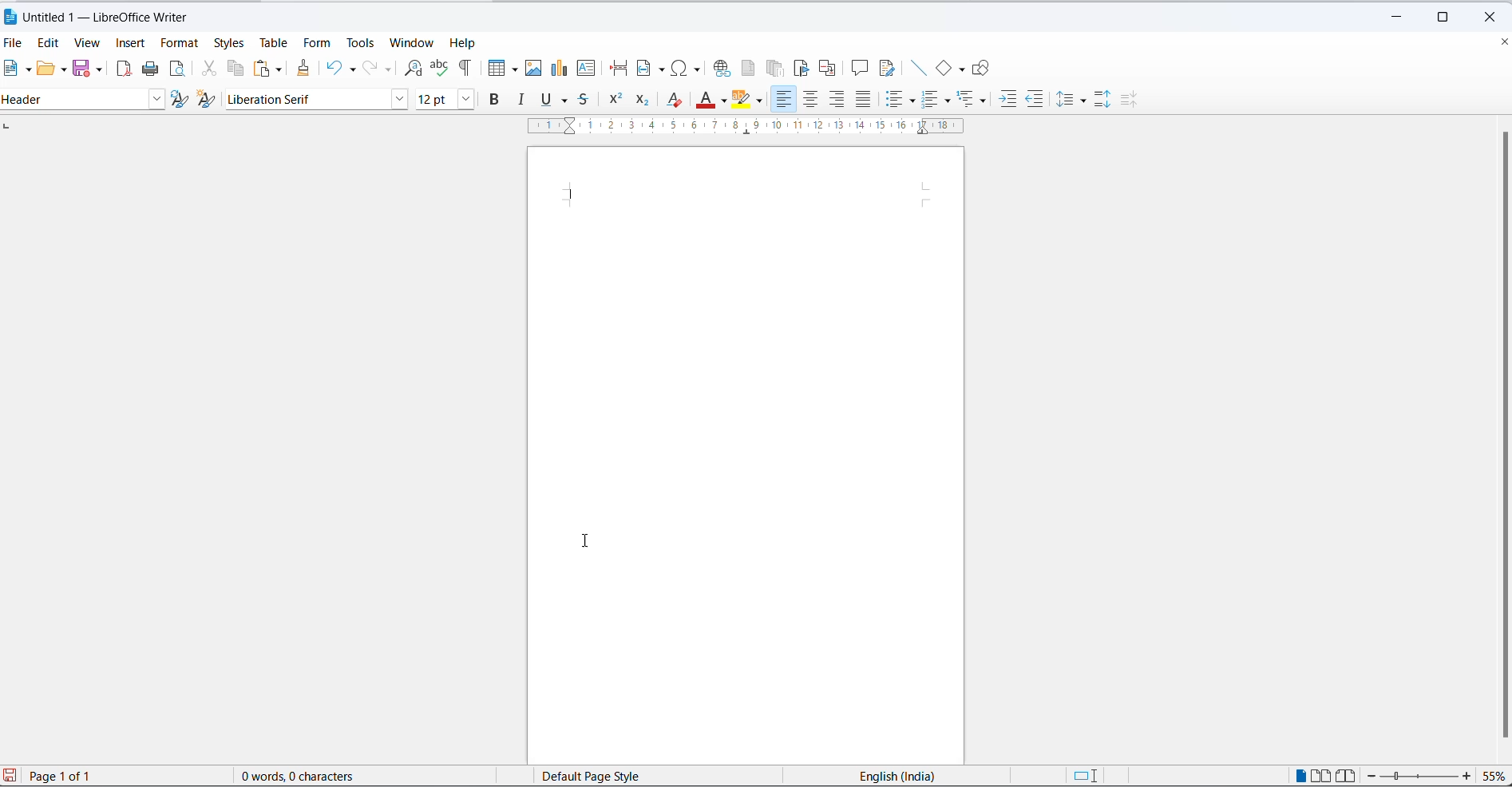  I want to click on maximize, so click(1449, 14).